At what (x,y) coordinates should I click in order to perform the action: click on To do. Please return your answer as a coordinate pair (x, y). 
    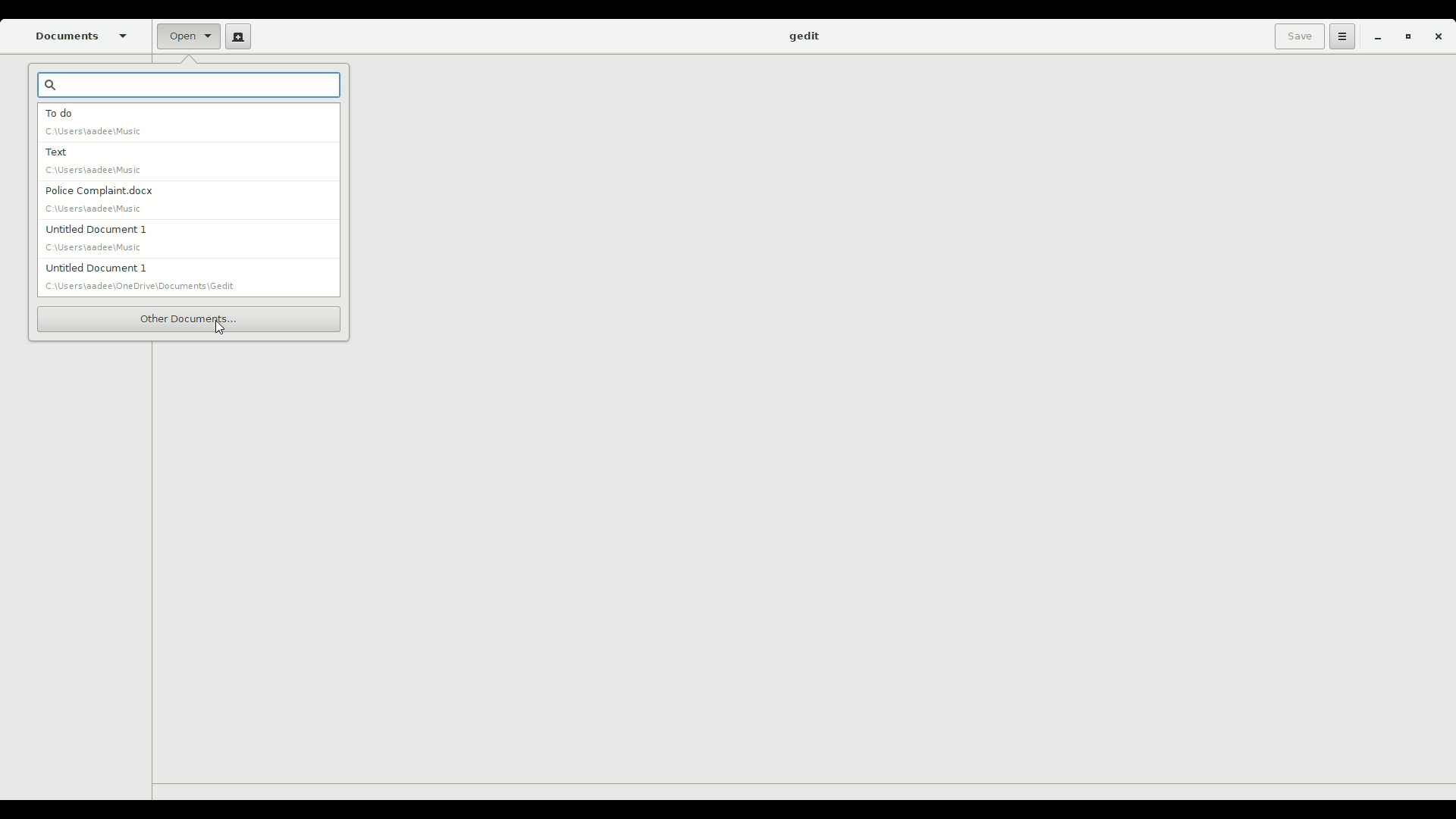
    Looking at the image, I should click on (96, 122).